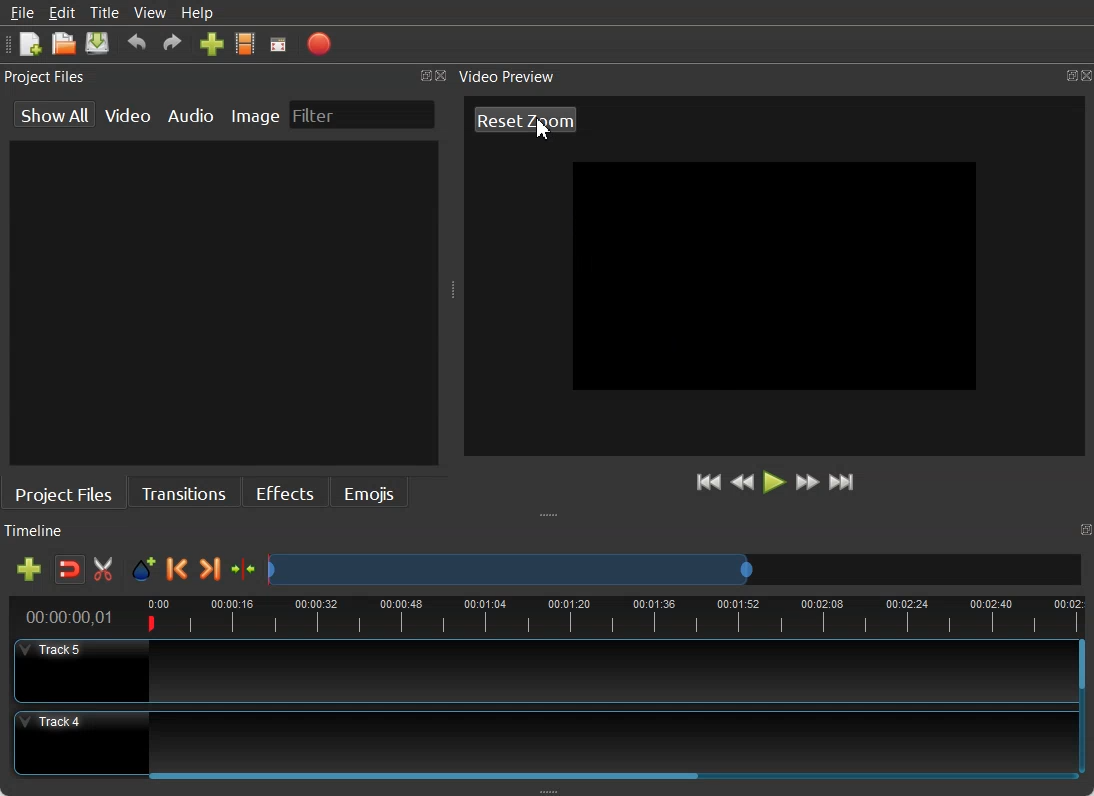 The width and height of the screenshot is (1094, 796). I want to click on Open Project, so click(64, 45).